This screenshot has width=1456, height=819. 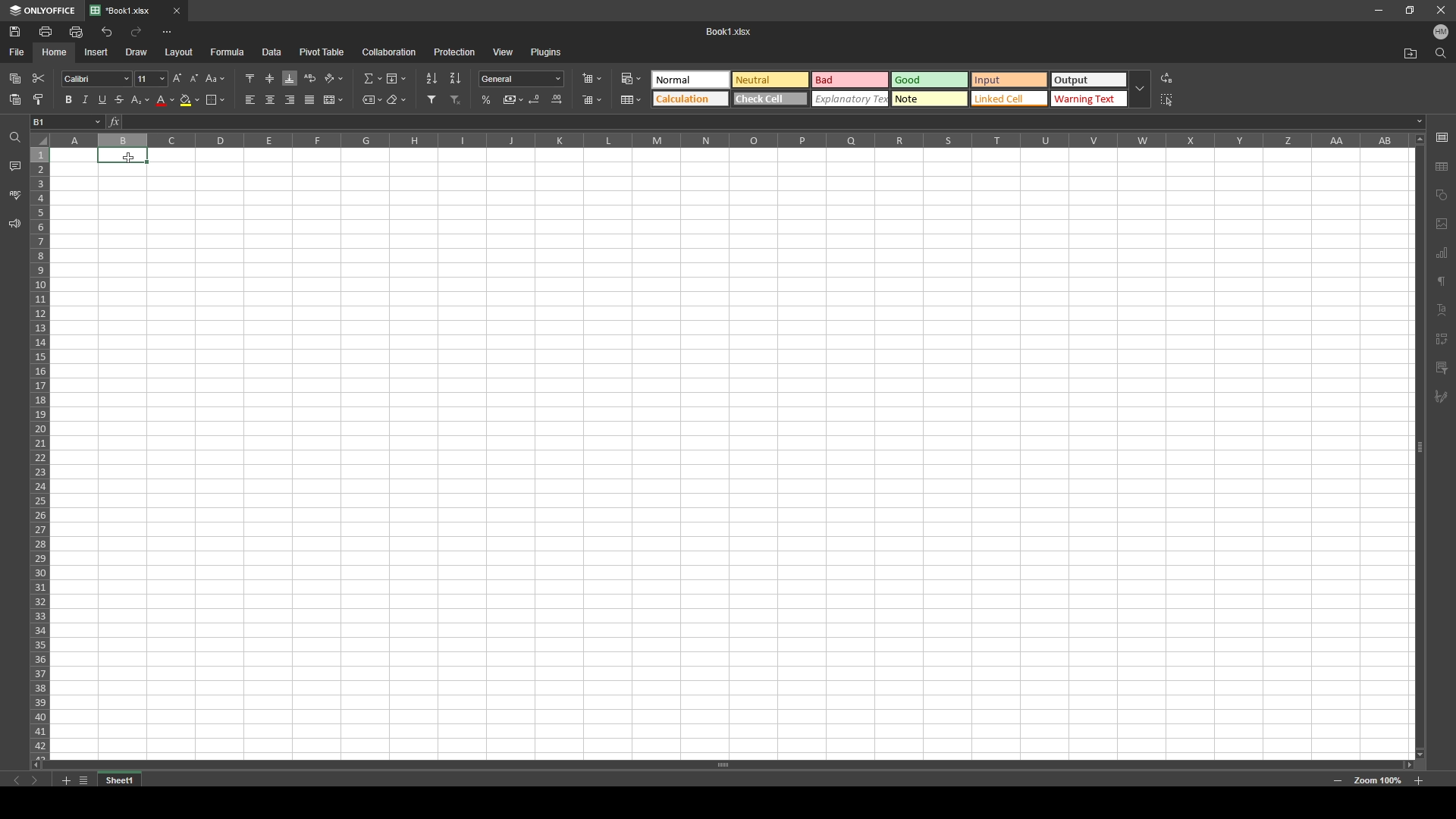 I want to click on add sheet, so click(x=65, y=780).